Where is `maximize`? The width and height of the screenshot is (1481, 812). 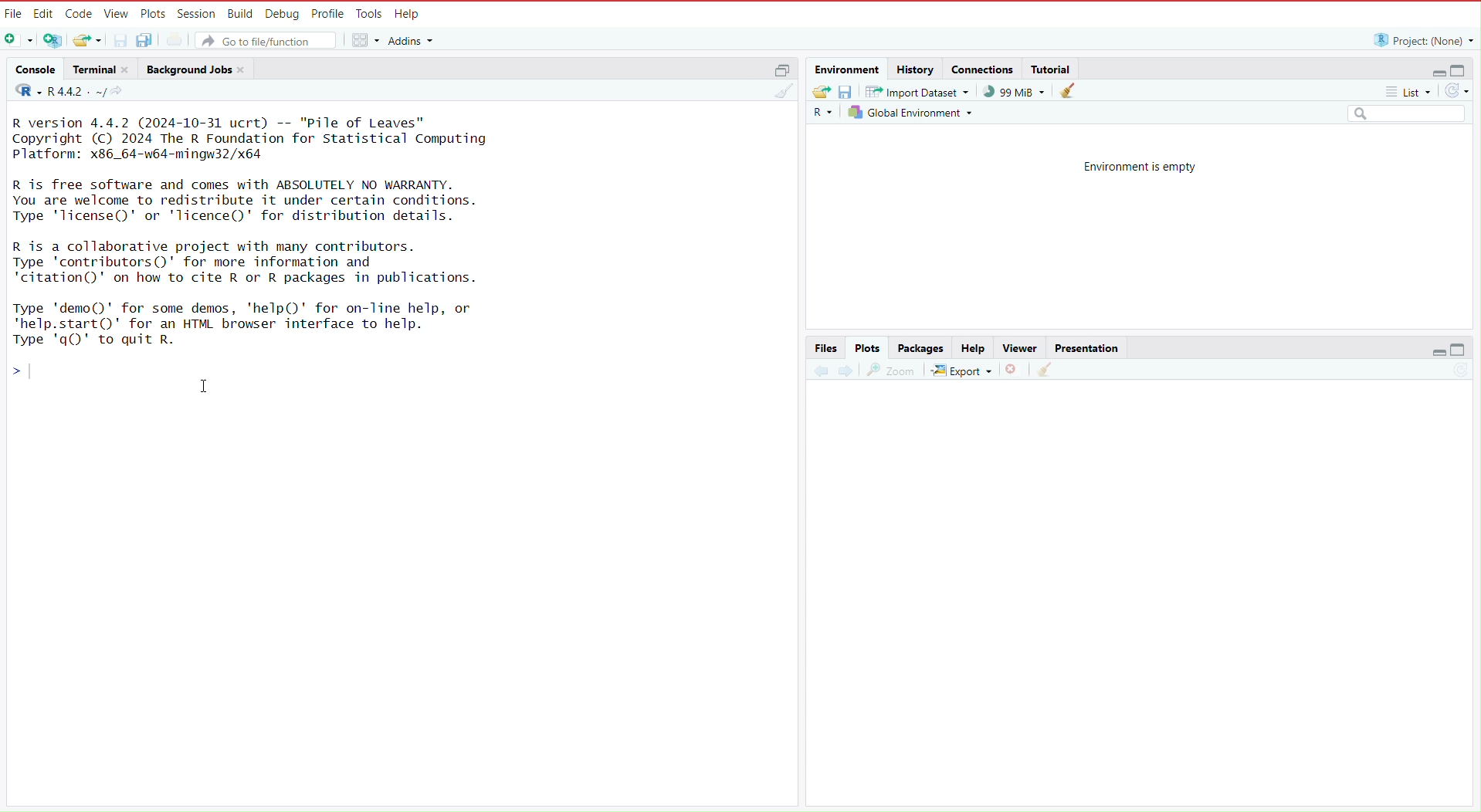
maximize is located at coordinates (784, 70).